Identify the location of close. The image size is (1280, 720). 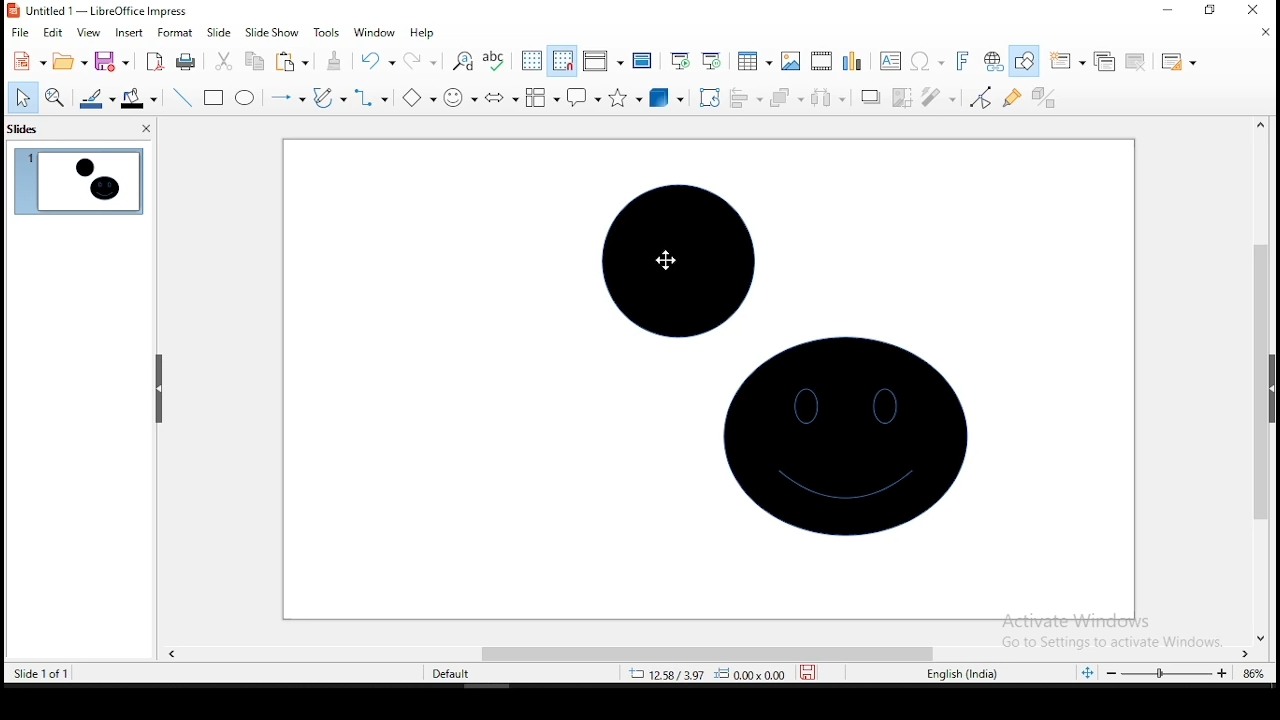
(1261, 32).